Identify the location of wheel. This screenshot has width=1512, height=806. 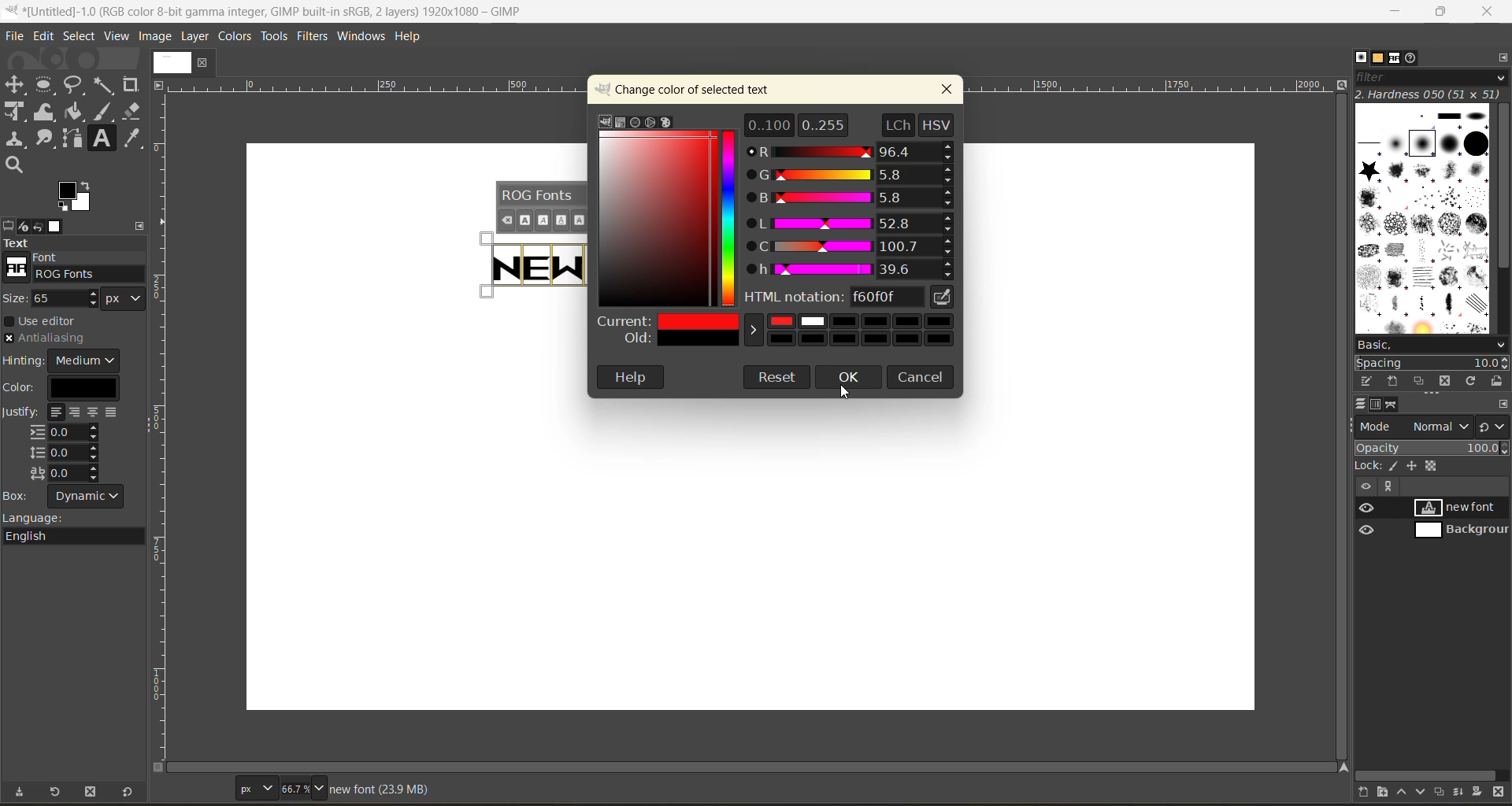
(651, 121).